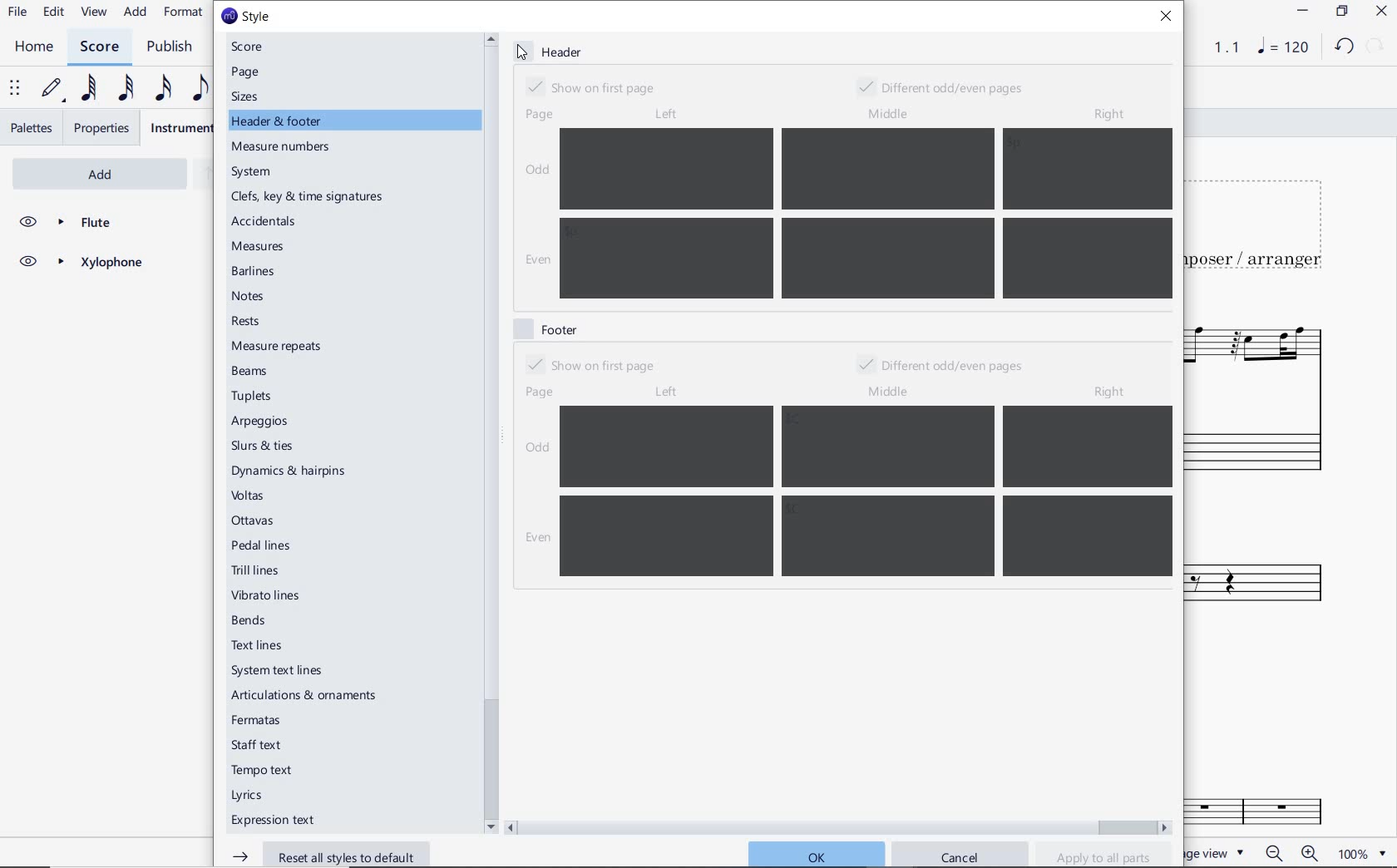 The height and width of the screenshot is (868, 1397). Describe the element at coordinates (260, 248) in the screenshot. I see `measures` at that location.